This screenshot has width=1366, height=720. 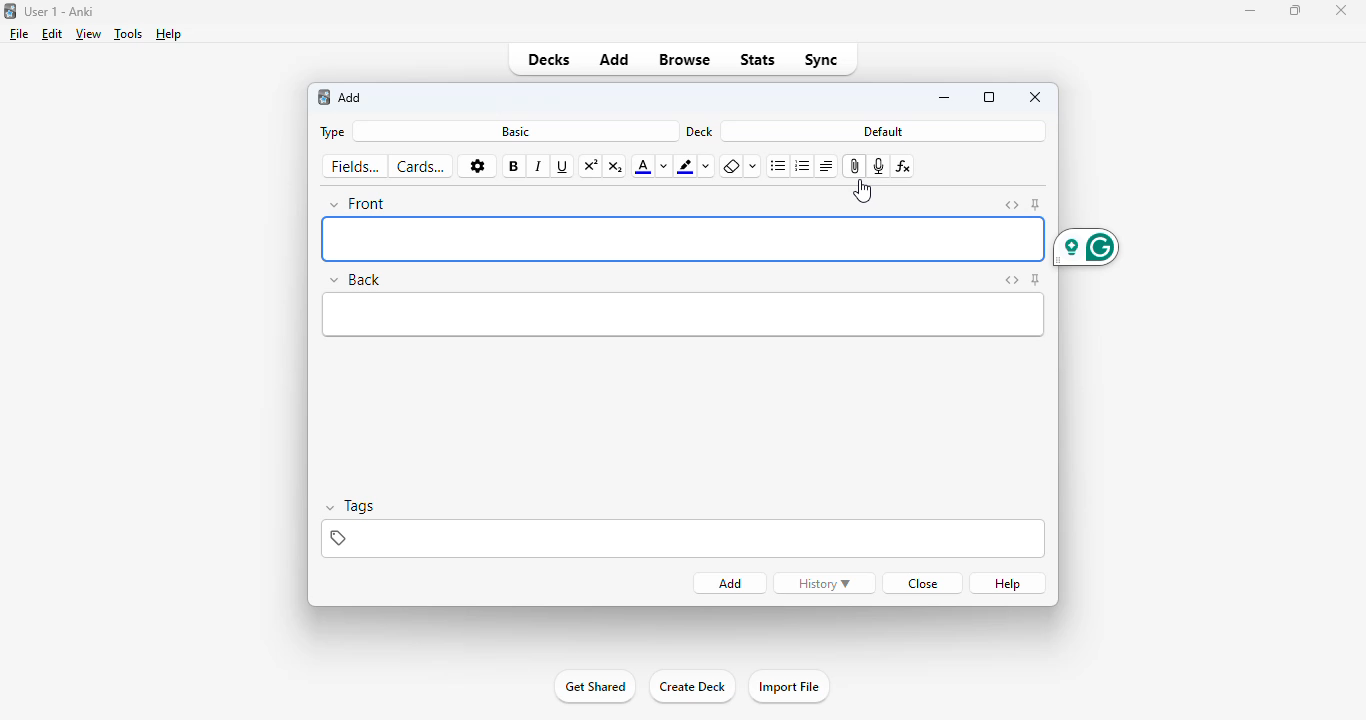 What do you see at coordinates (707, 167) in the screenshot?
I see `change color` at bounding box center [707, 167].